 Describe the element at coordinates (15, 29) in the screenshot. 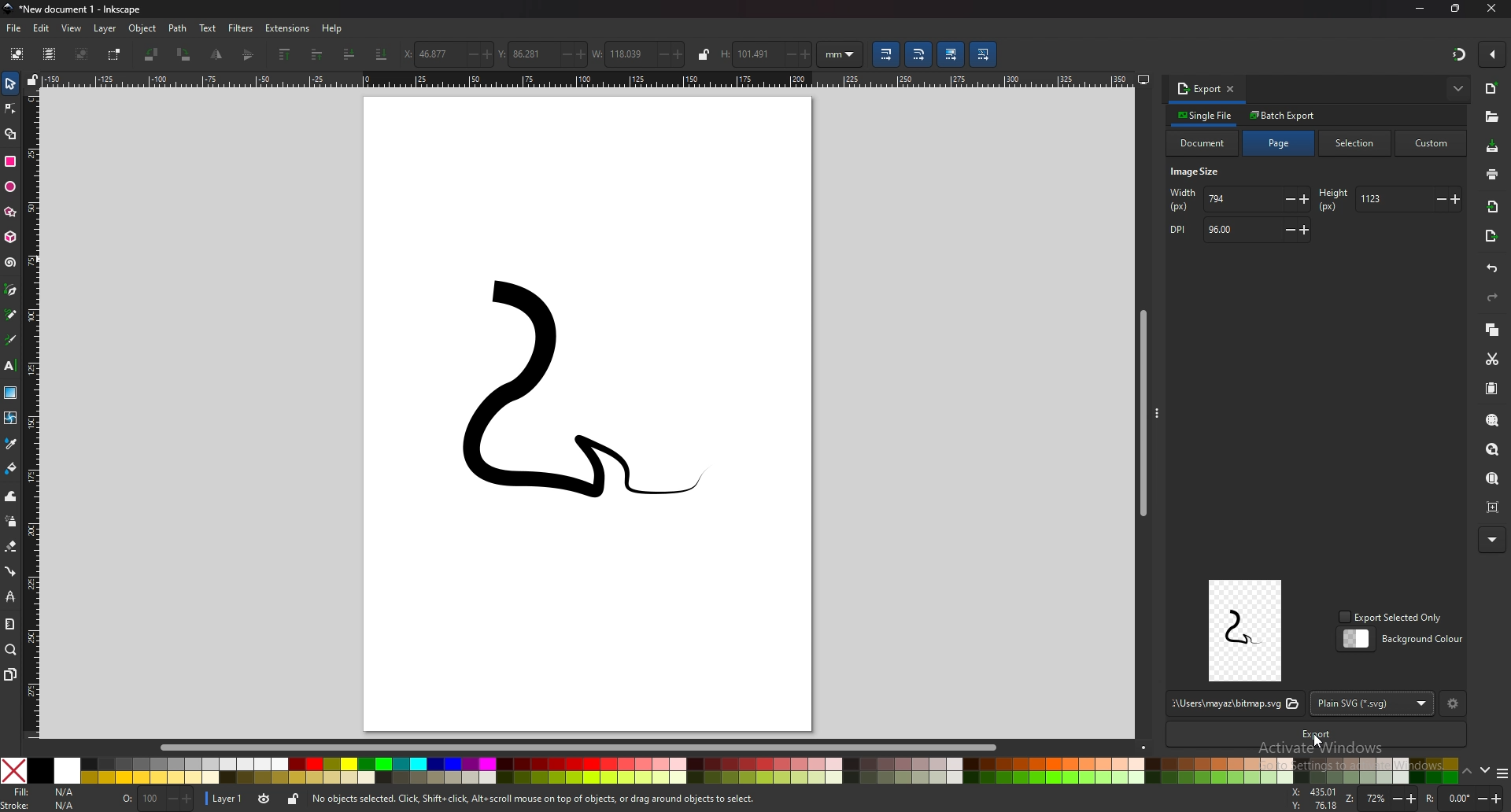

I see `file` at that location.